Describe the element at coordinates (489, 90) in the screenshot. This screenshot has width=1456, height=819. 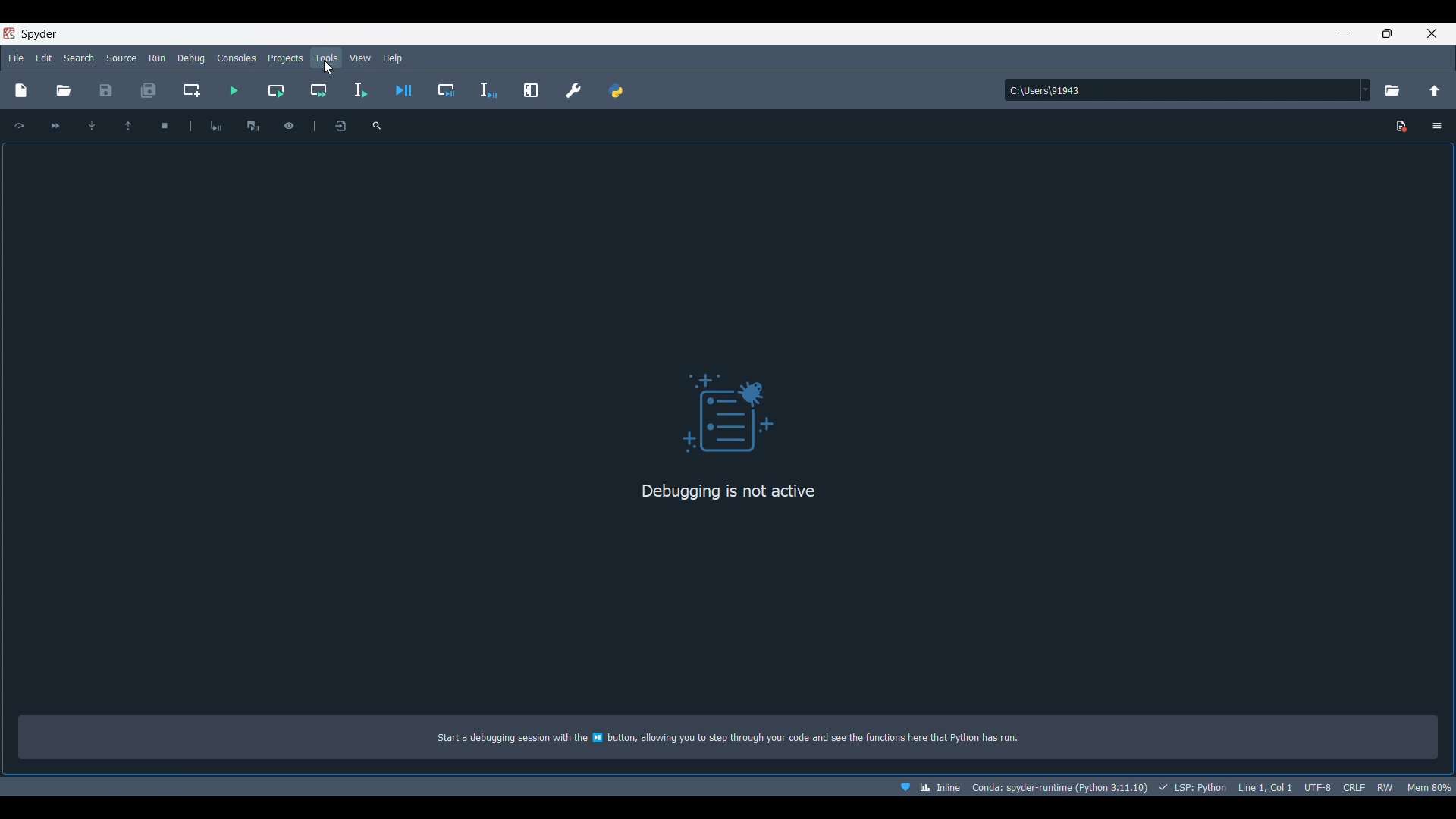
I see `Debug selection or current line` at that location.